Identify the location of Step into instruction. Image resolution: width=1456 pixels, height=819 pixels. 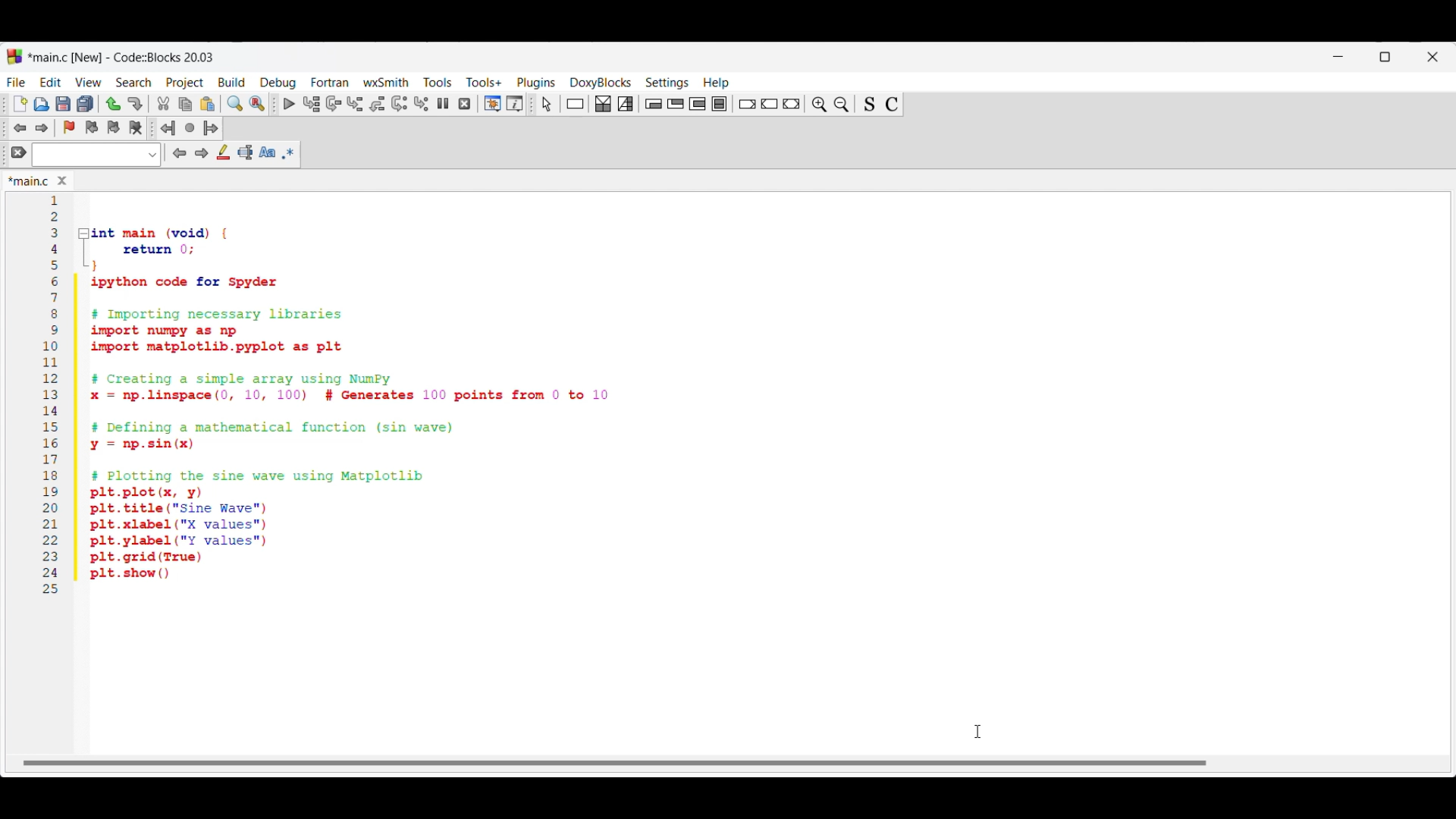
(421, 104).